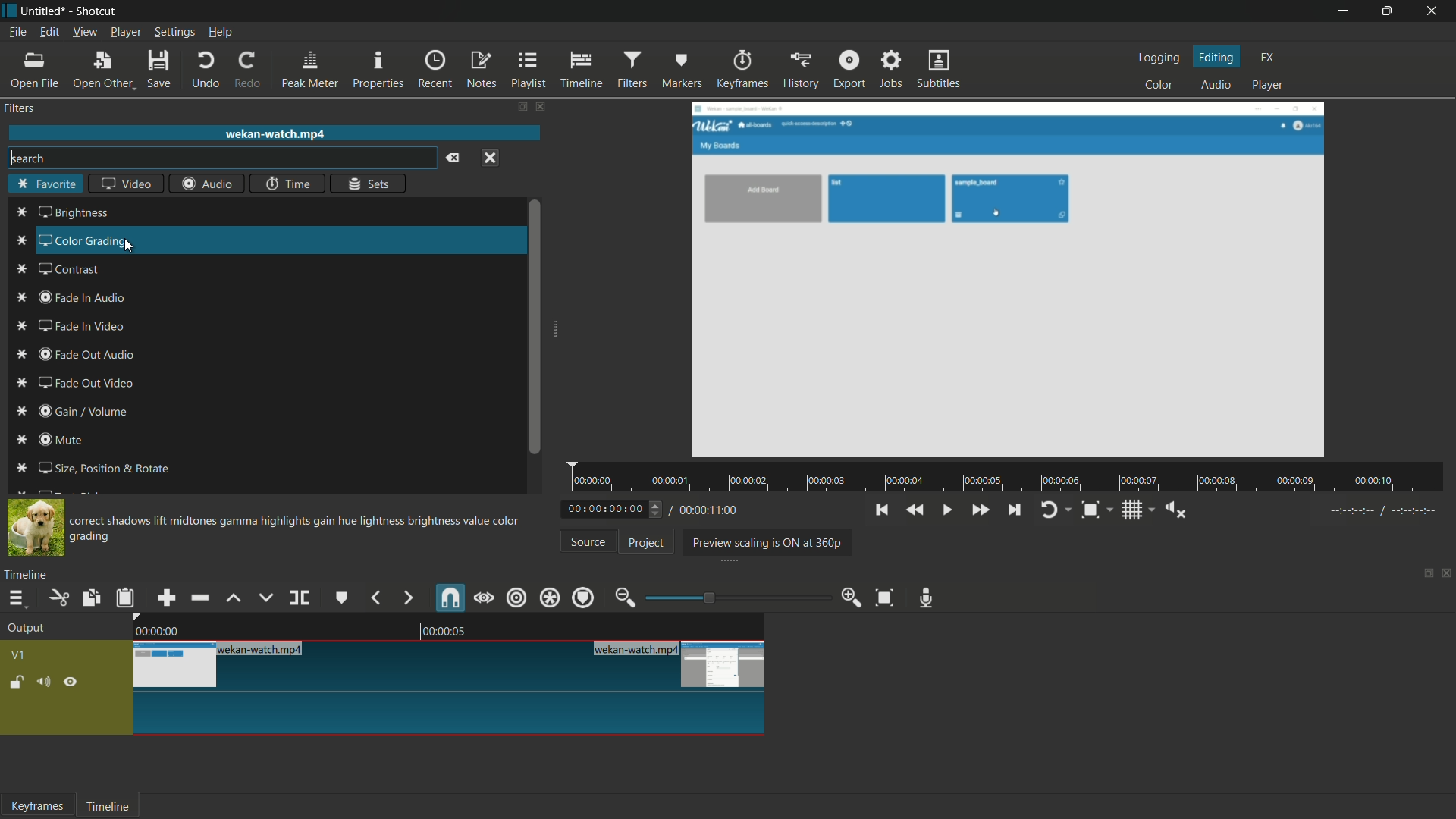 This screenshot has width=1456, height=819. What do you see at coordinates (125, 32) in the screenshot?
I see `player menu` at bounding box center [125, 32].